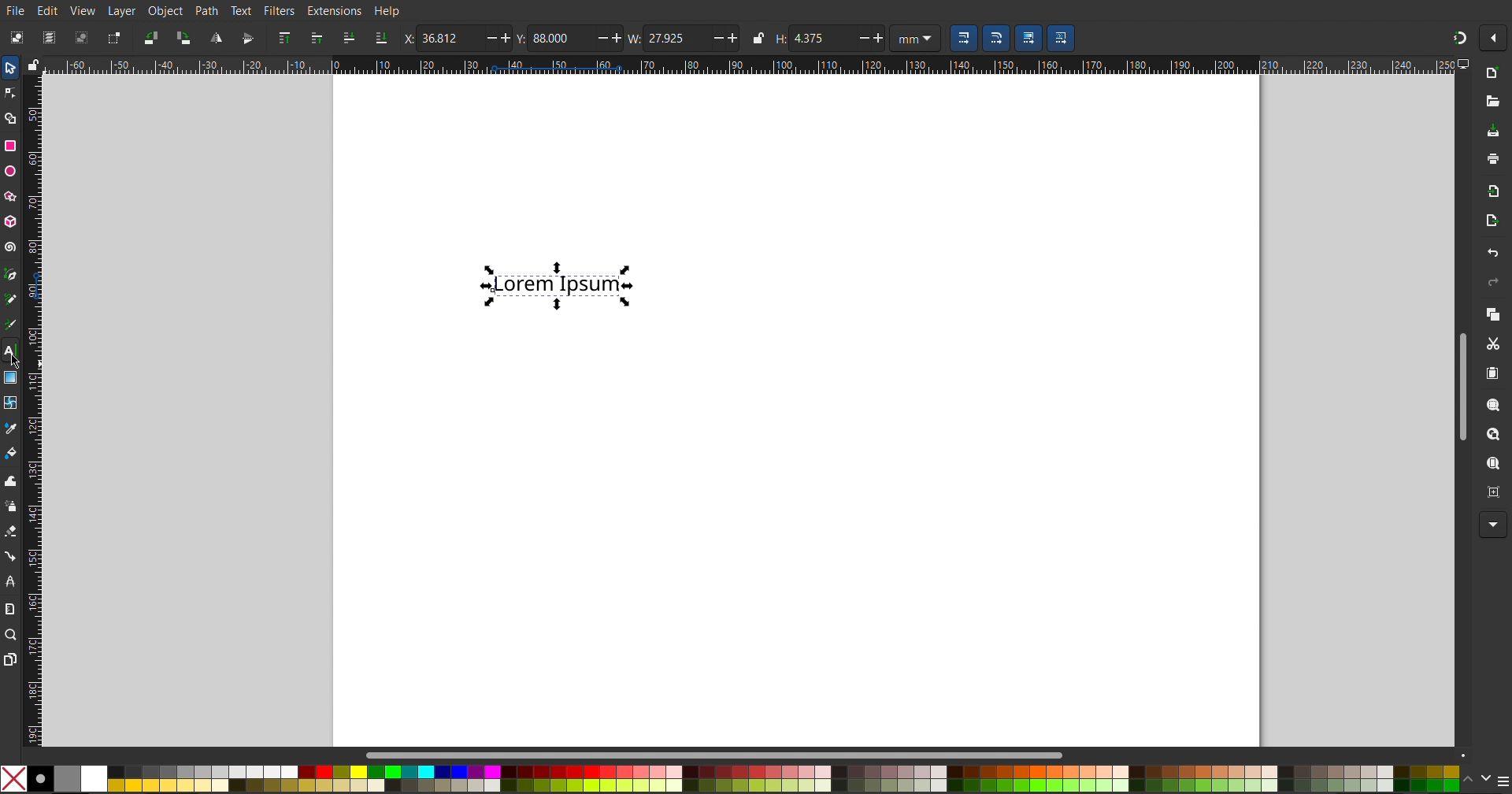 Image resolution: width=1512 pixels, height=794 pixels. I want to click on Open Export, so click(1492, 223).